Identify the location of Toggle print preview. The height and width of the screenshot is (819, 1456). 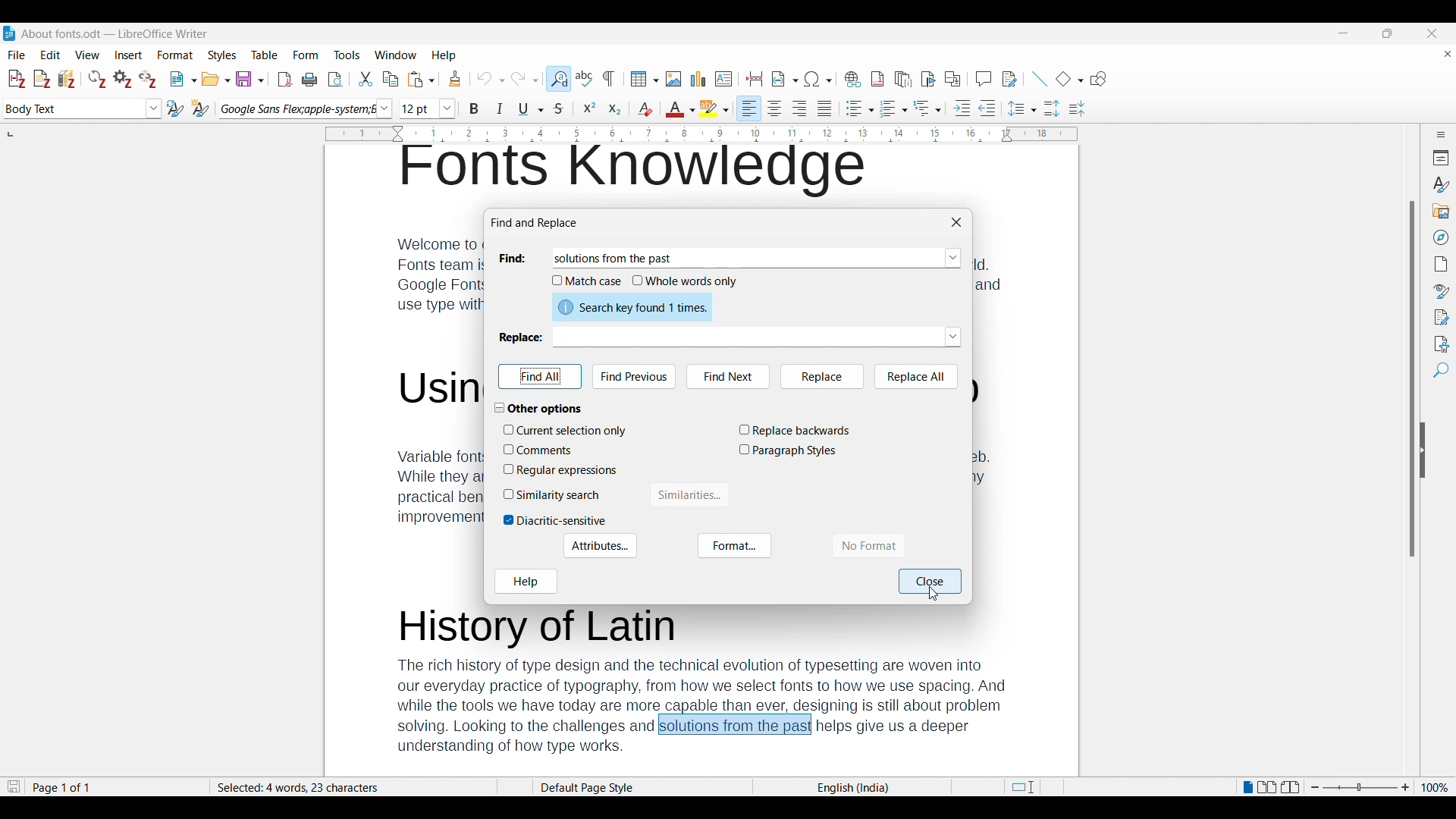
(336, 80).